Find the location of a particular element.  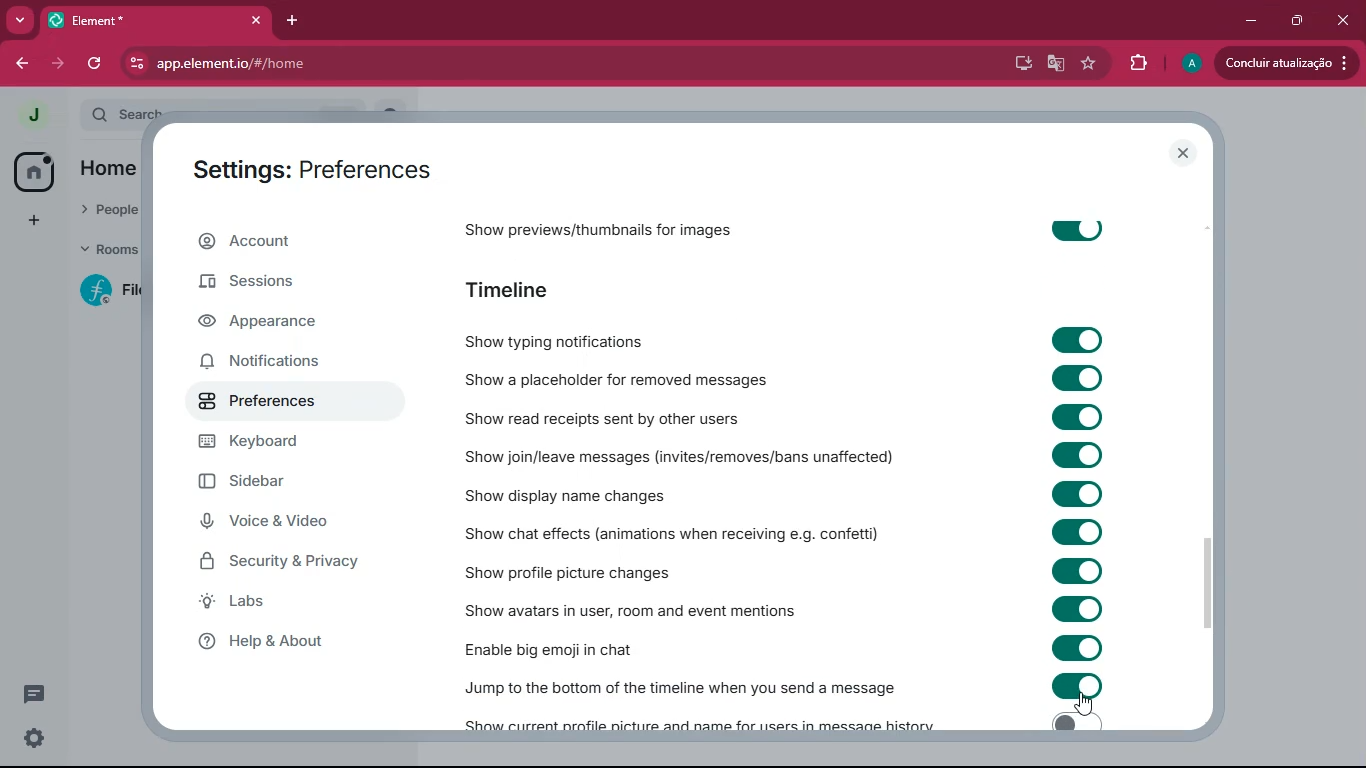

help & about is located at coordinates (298, 641).